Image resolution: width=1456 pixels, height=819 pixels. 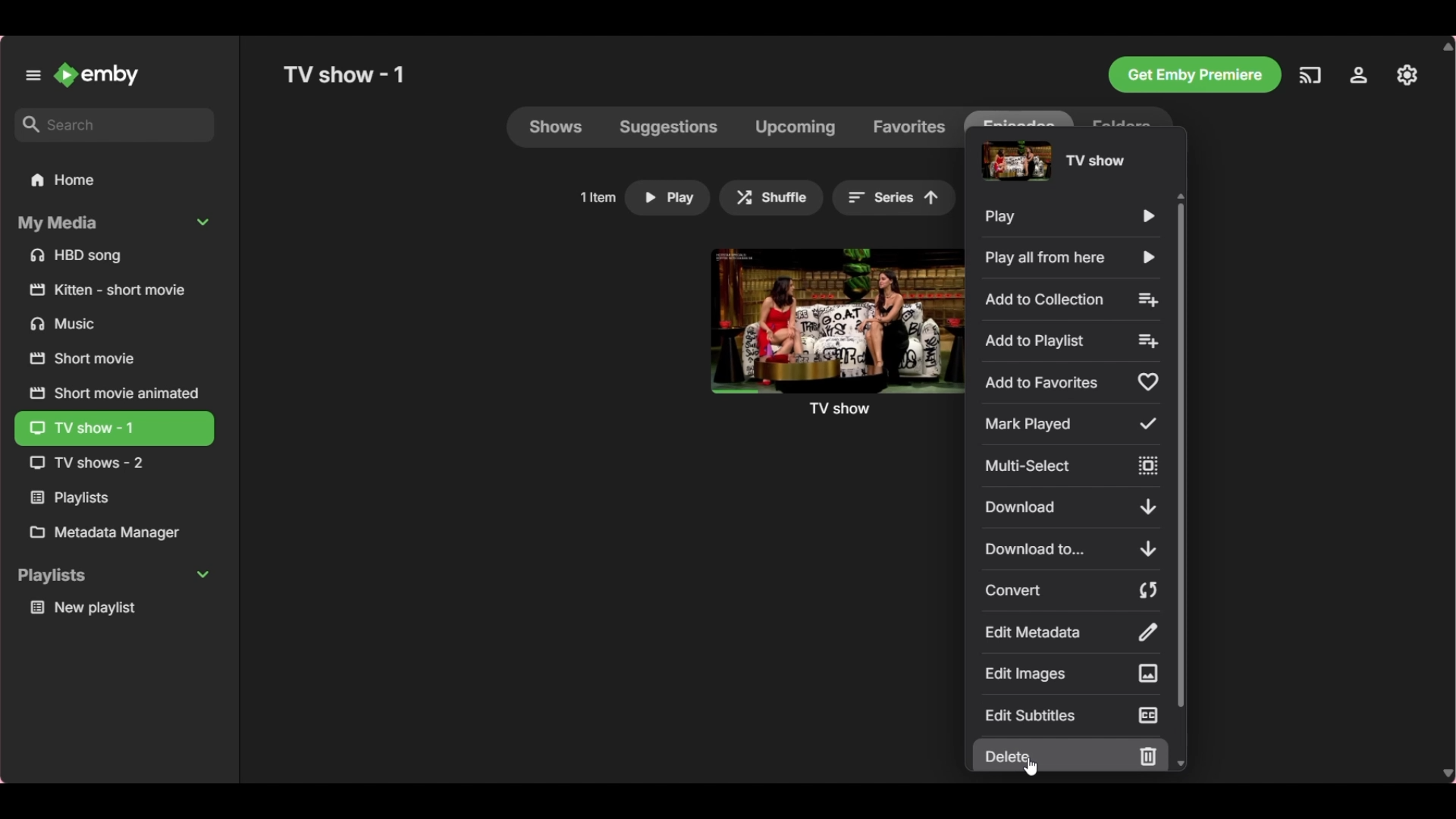 I want to click on Search box, so click(x=115, y=124).